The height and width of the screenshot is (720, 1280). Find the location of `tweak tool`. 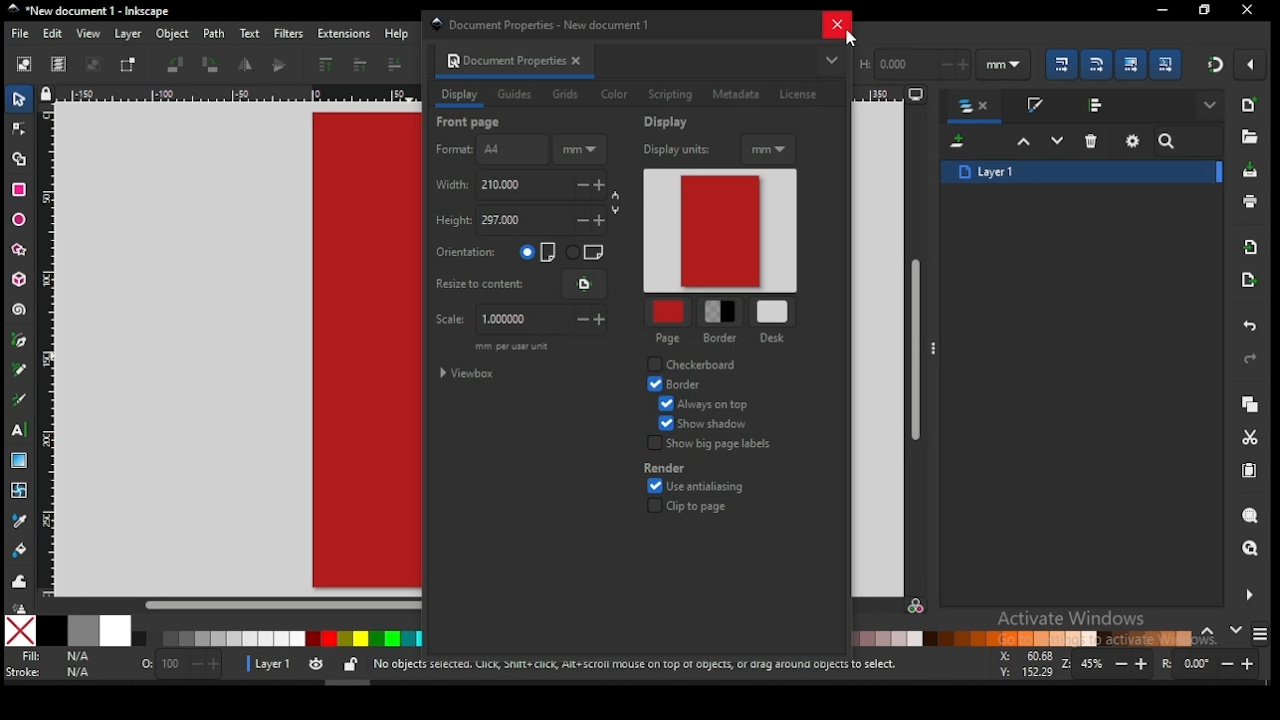

tweak tool is located at coordinates (20, 581).